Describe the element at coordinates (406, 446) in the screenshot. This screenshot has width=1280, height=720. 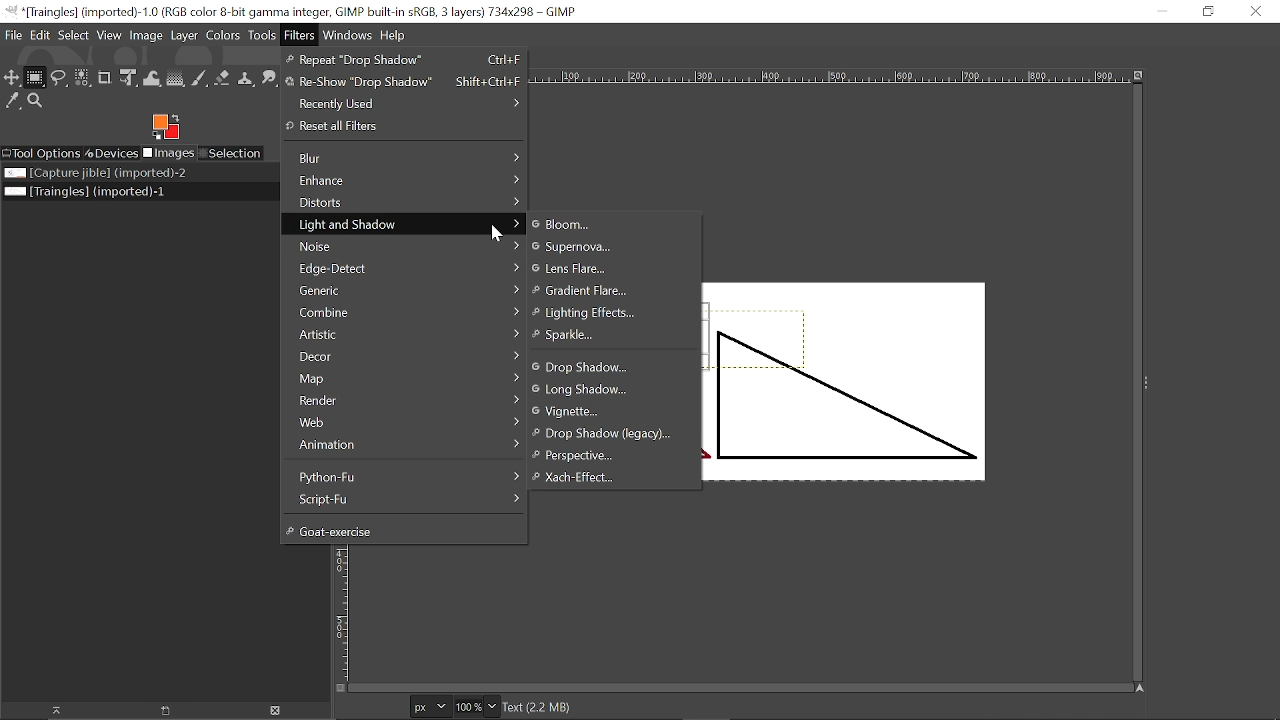
I see `Animation` at that location.